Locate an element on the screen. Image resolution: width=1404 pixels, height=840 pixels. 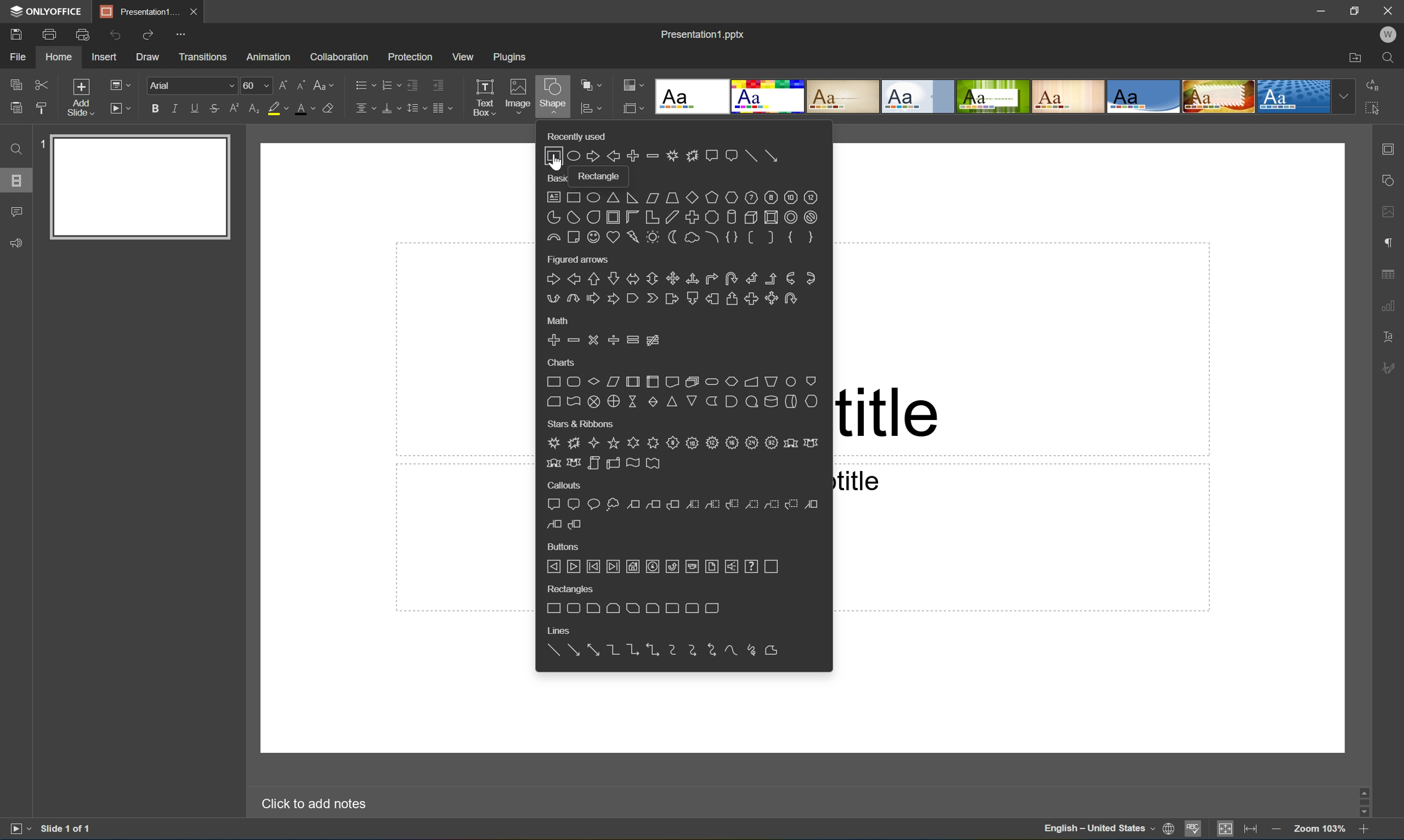
Image is located at coordinates (515, 94).